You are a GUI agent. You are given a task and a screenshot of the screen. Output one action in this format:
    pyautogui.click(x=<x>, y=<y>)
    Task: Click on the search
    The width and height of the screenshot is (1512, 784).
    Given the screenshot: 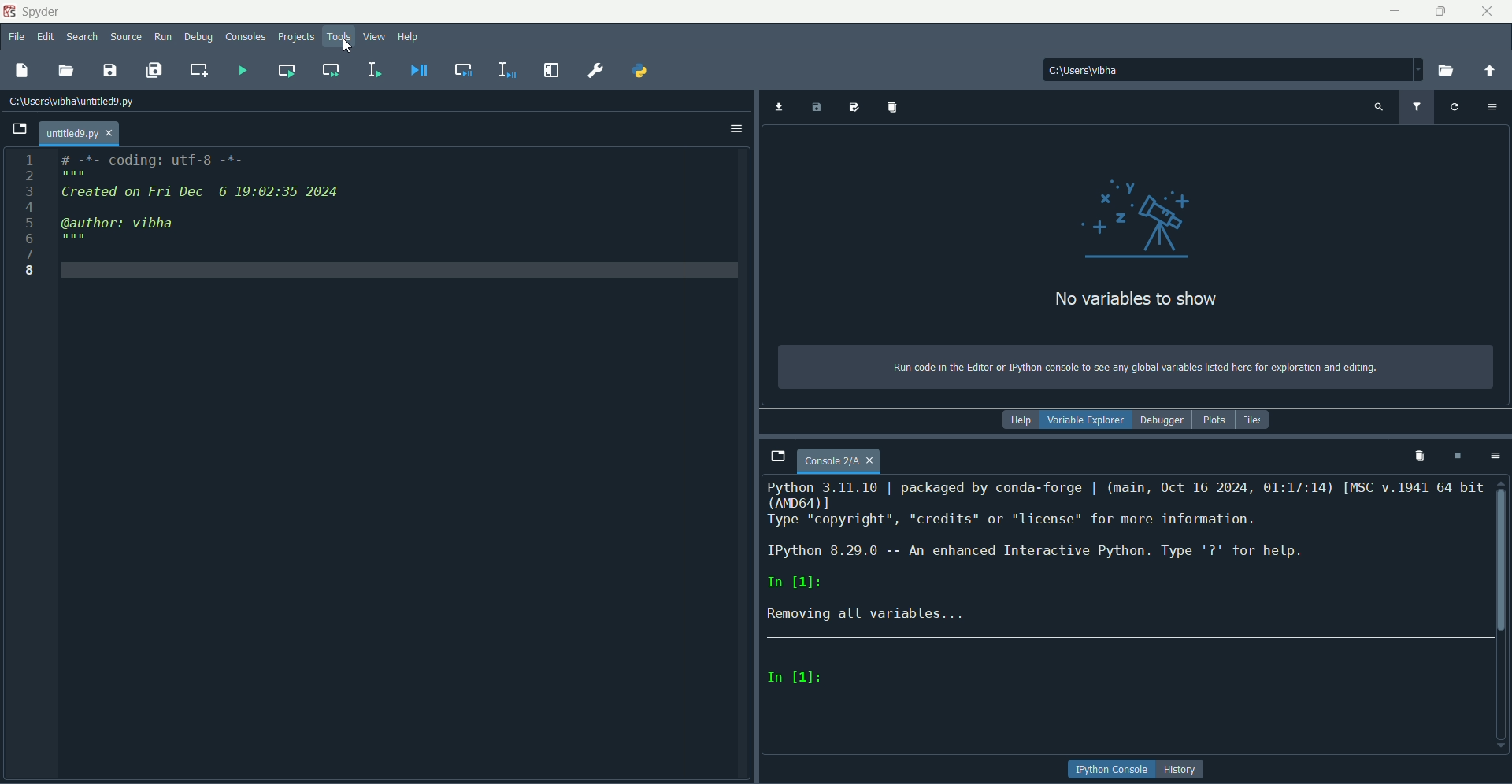 What is the action you would take?
    pyautogui.click(x=82, y=39)
    